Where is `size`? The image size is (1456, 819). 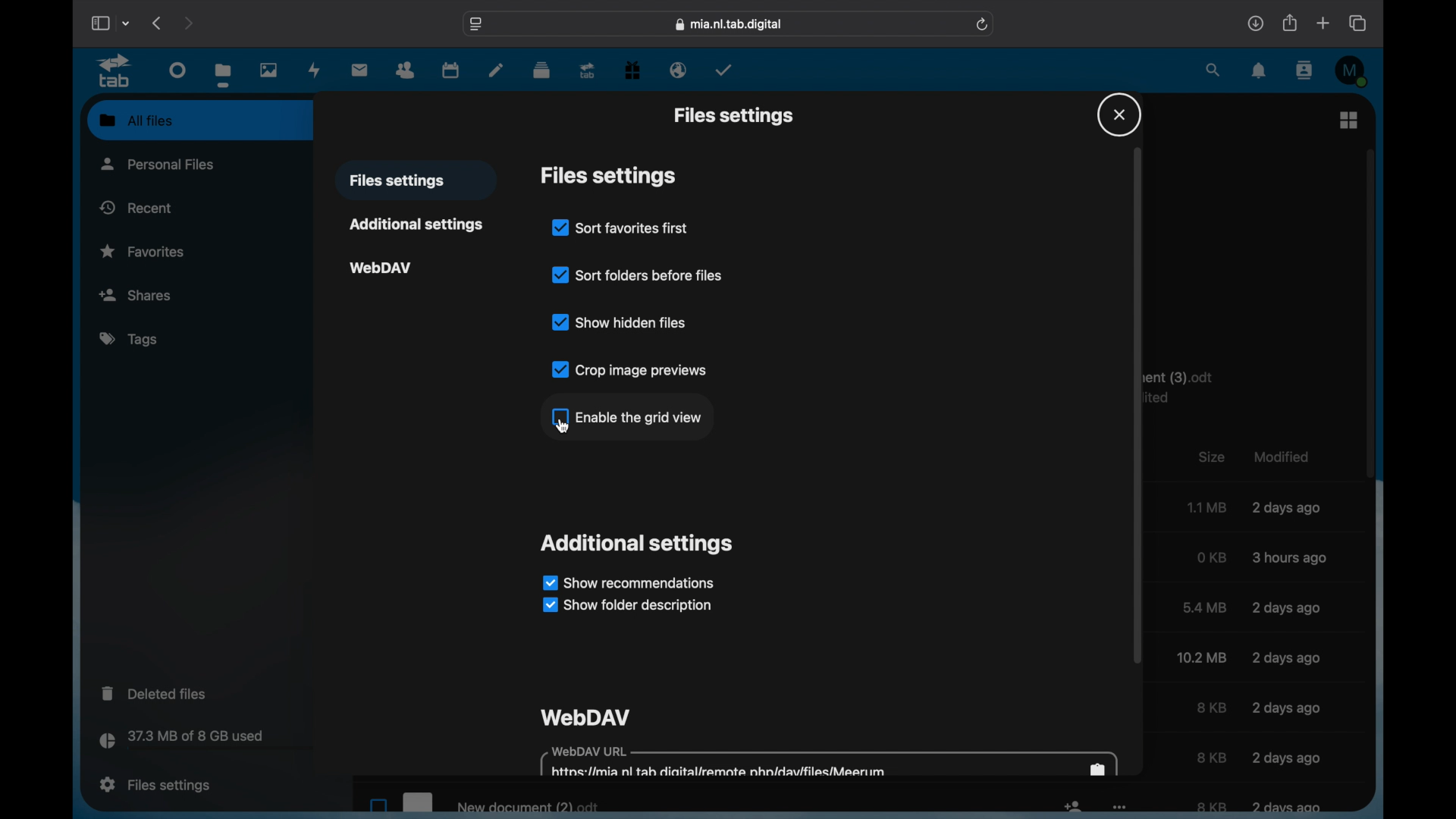 size is located at coordinates (1210, 457).